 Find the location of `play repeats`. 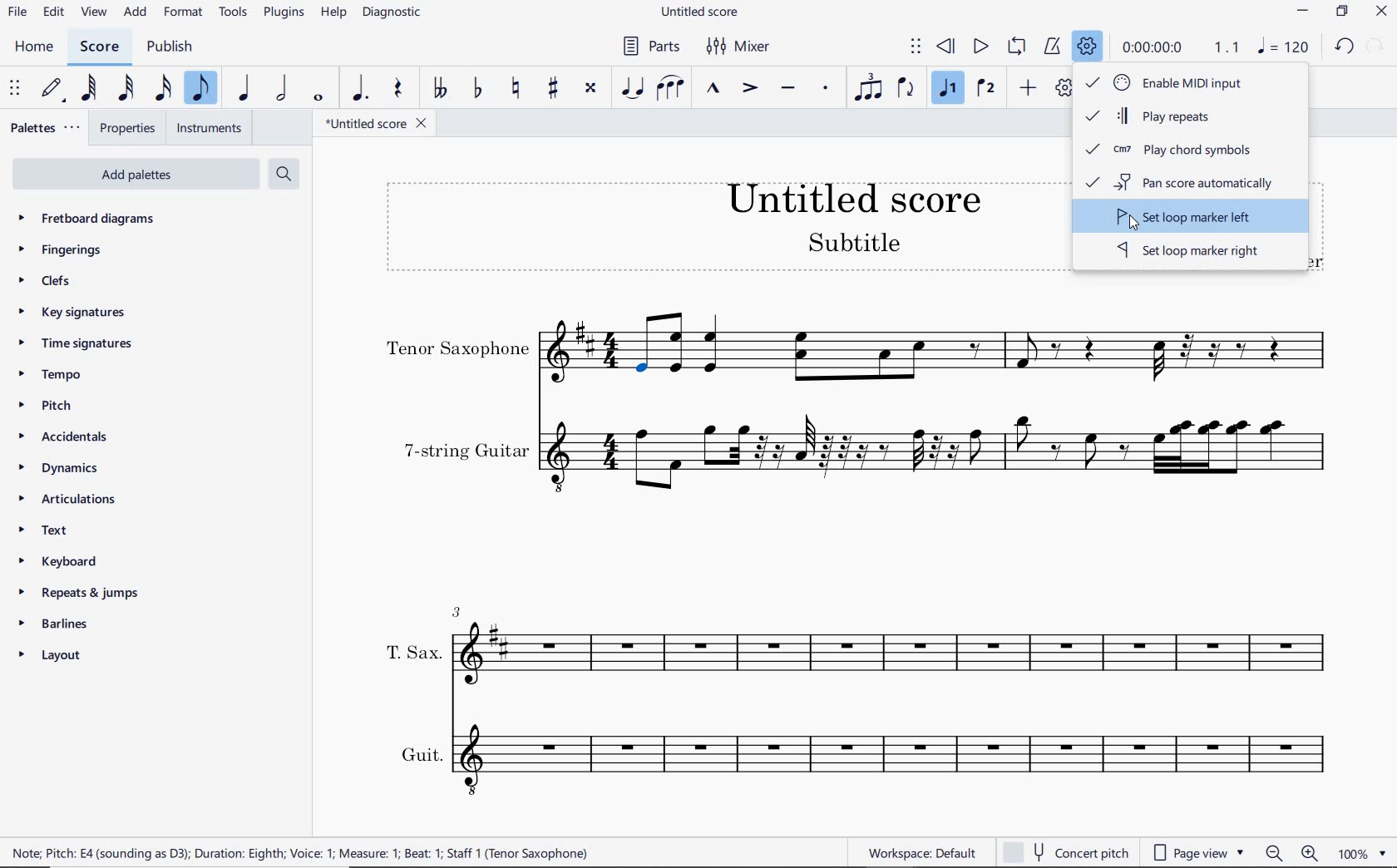

play repeats is located at coordinates (1182, 118).